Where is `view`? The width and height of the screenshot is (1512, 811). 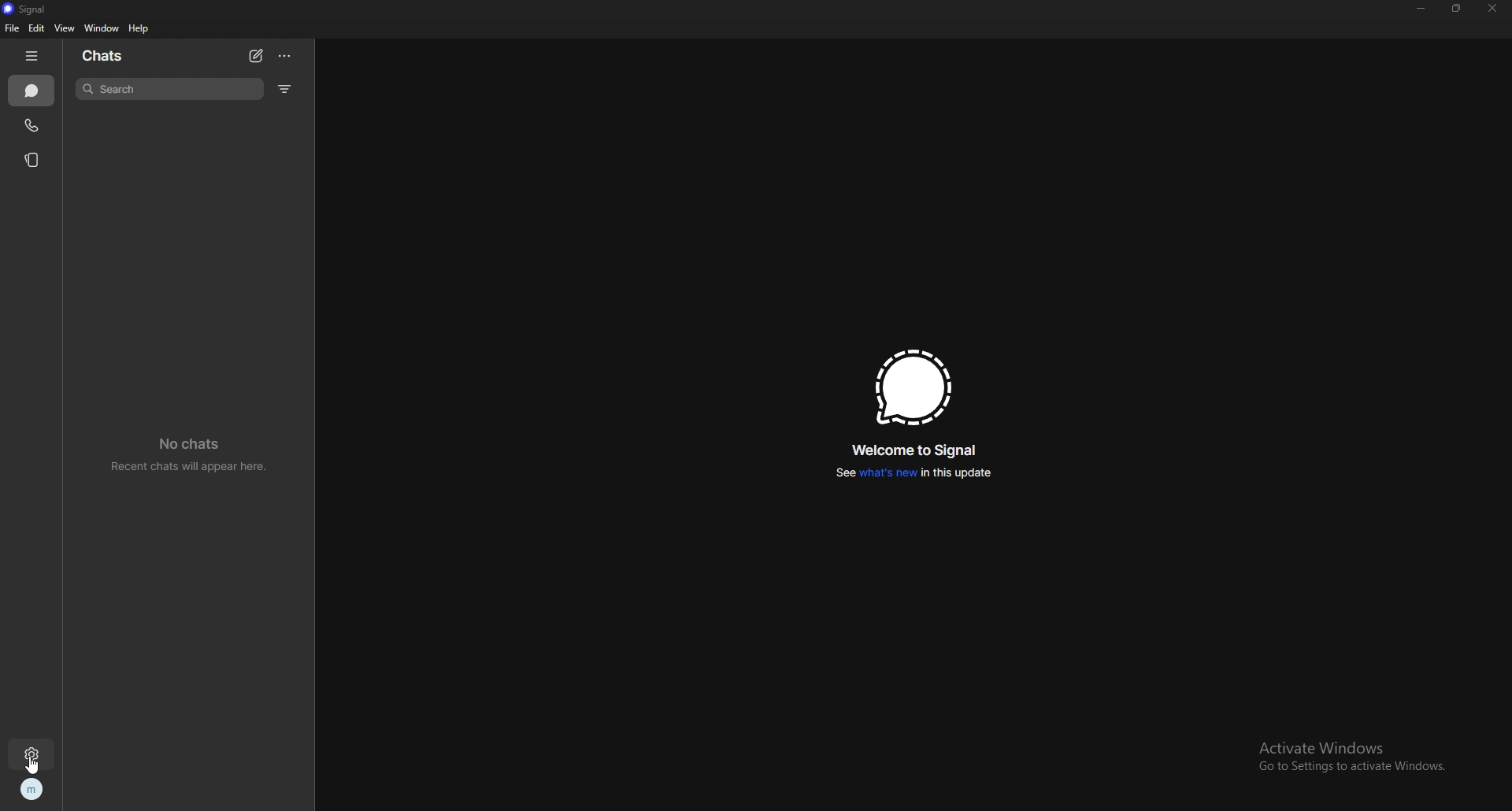 view is located at coordinates (65, 28).